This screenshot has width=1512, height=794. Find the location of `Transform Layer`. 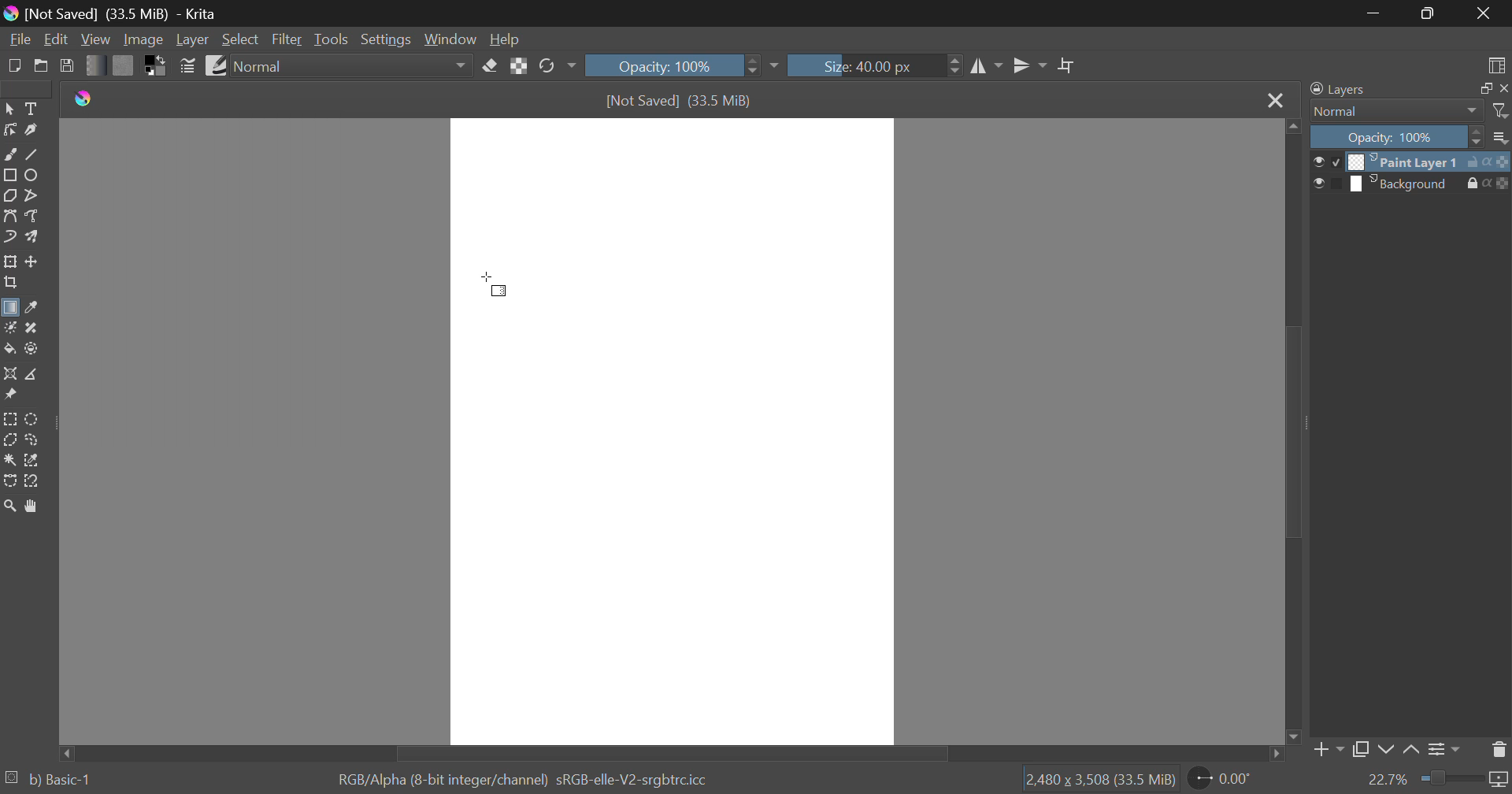

Transform Layer is located at coordinates (9, 262).